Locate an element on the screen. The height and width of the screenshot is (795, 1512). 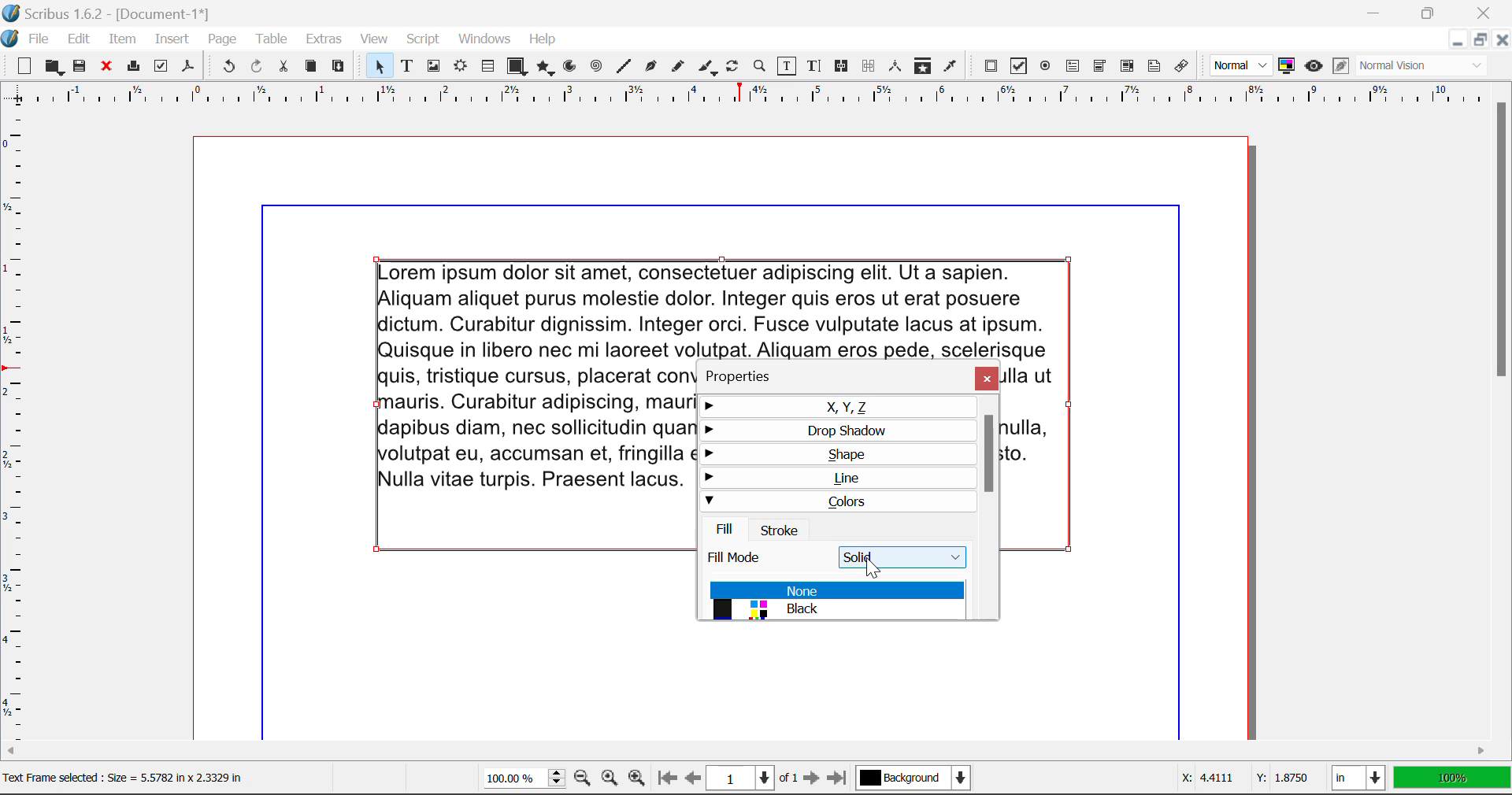
Zoom to 100% is located at coordinates (610, 780).